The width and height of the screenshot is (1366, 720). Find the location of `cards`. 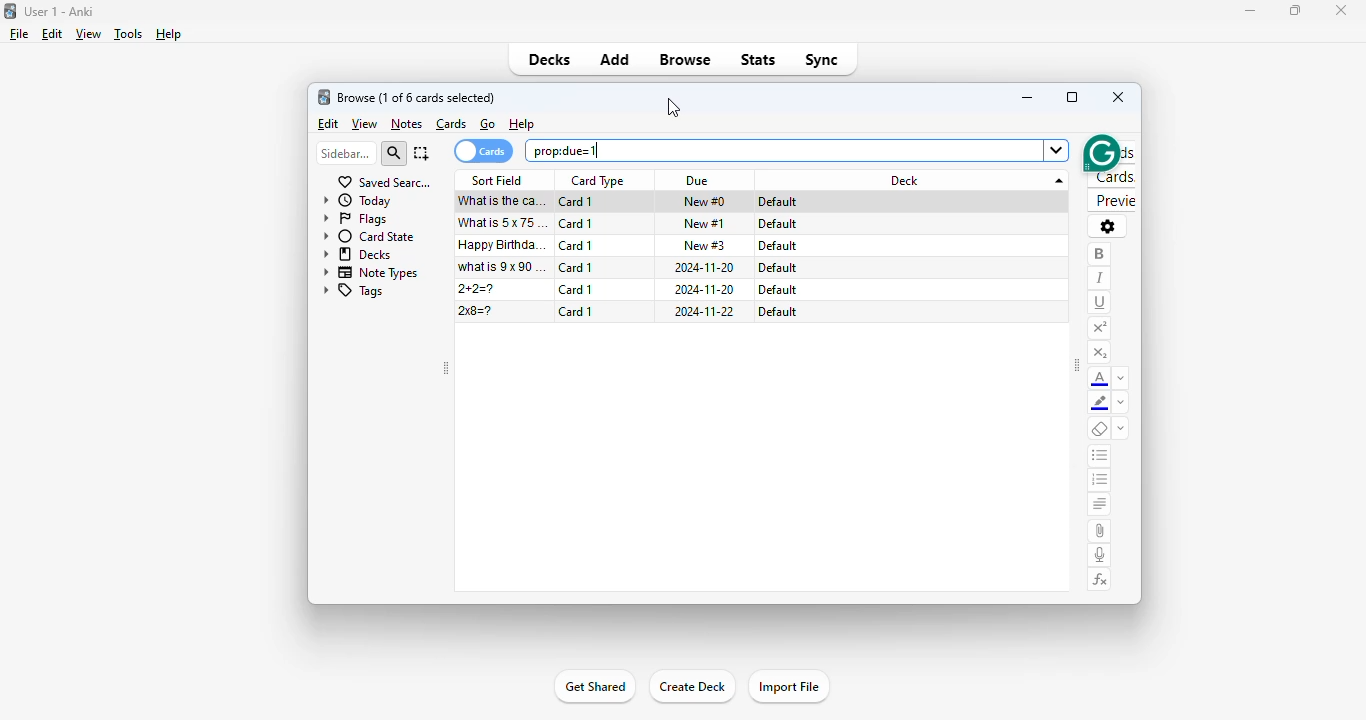

cards is located at coordinates (482, 151).